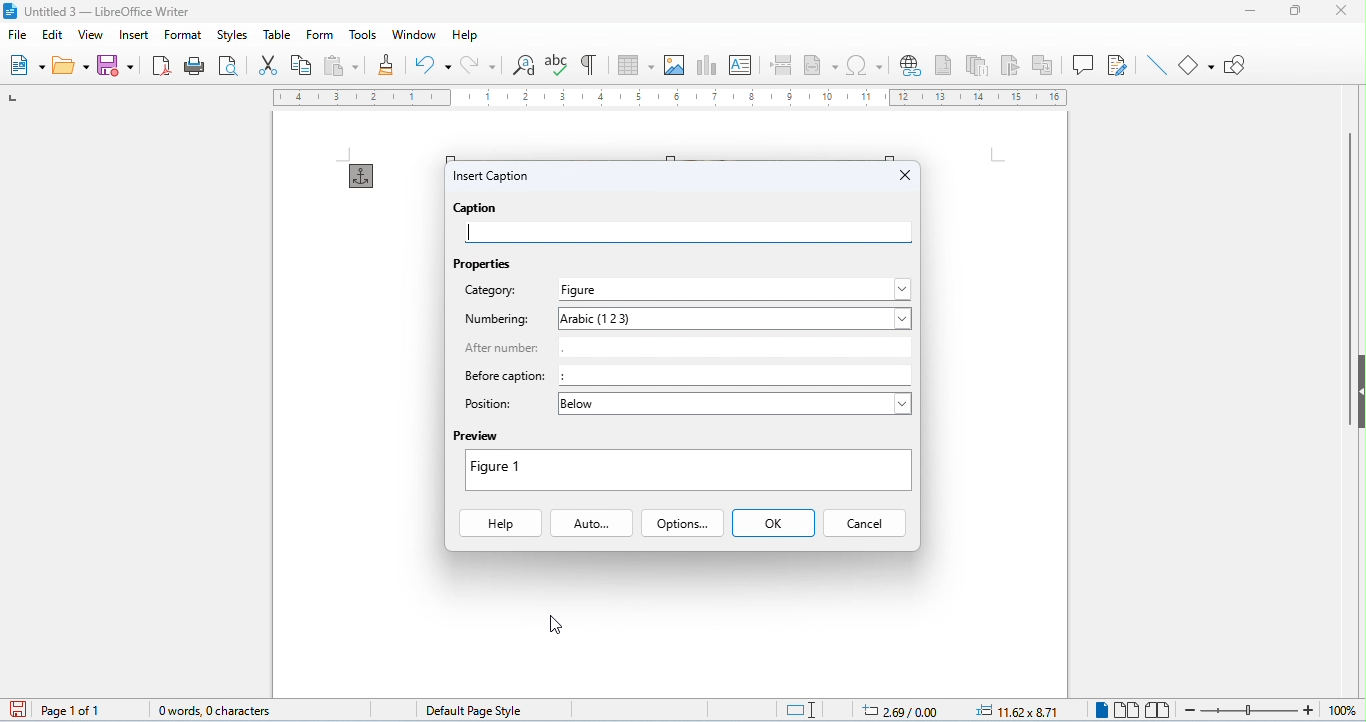  Describe the element at coordinates (493, 290) in the screenshot. I see `category` at that location.